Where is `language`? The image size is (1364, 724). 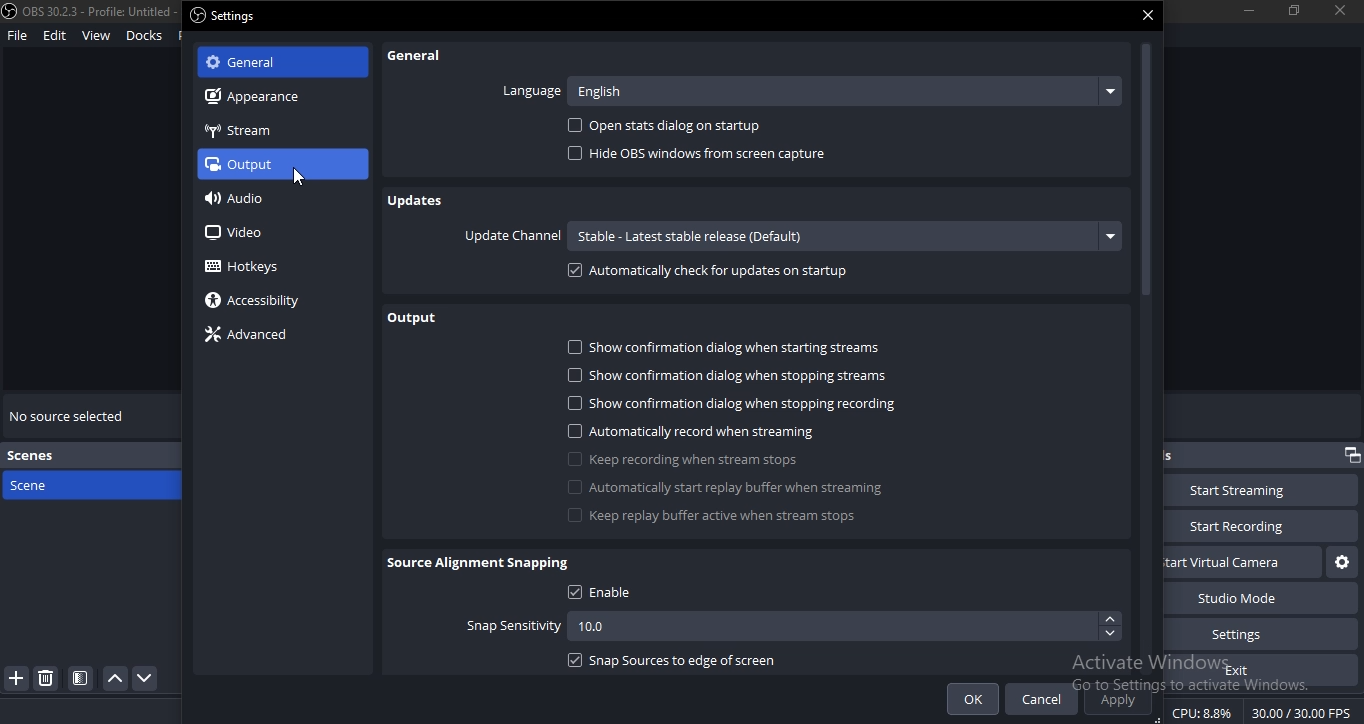 language is located at coordinates (534, 86).